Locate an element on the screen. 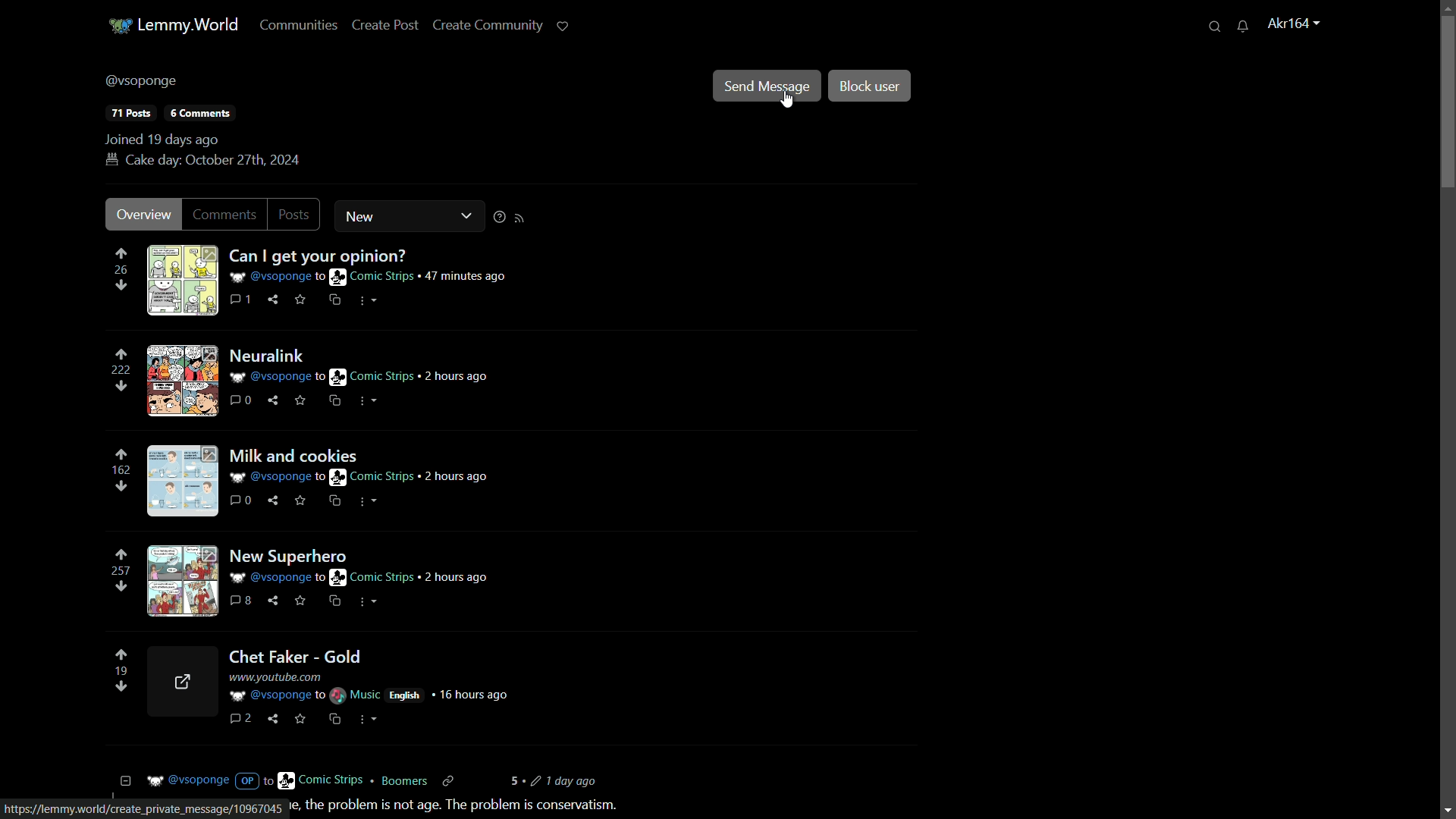  comments is located at coordinates (240, 601).